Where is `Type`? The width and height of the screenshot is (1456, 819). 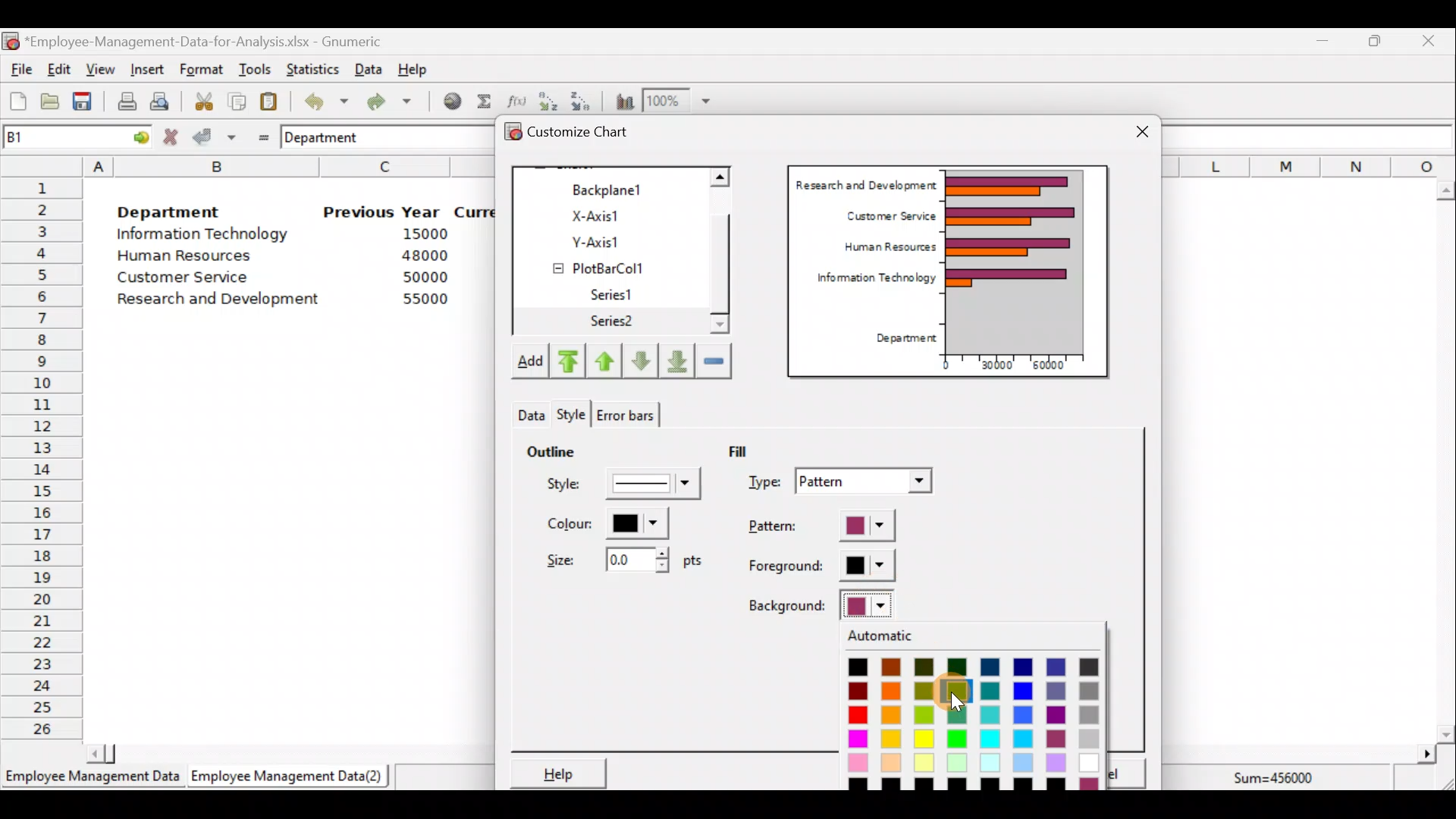
Type is located at coordinates (843, 483).